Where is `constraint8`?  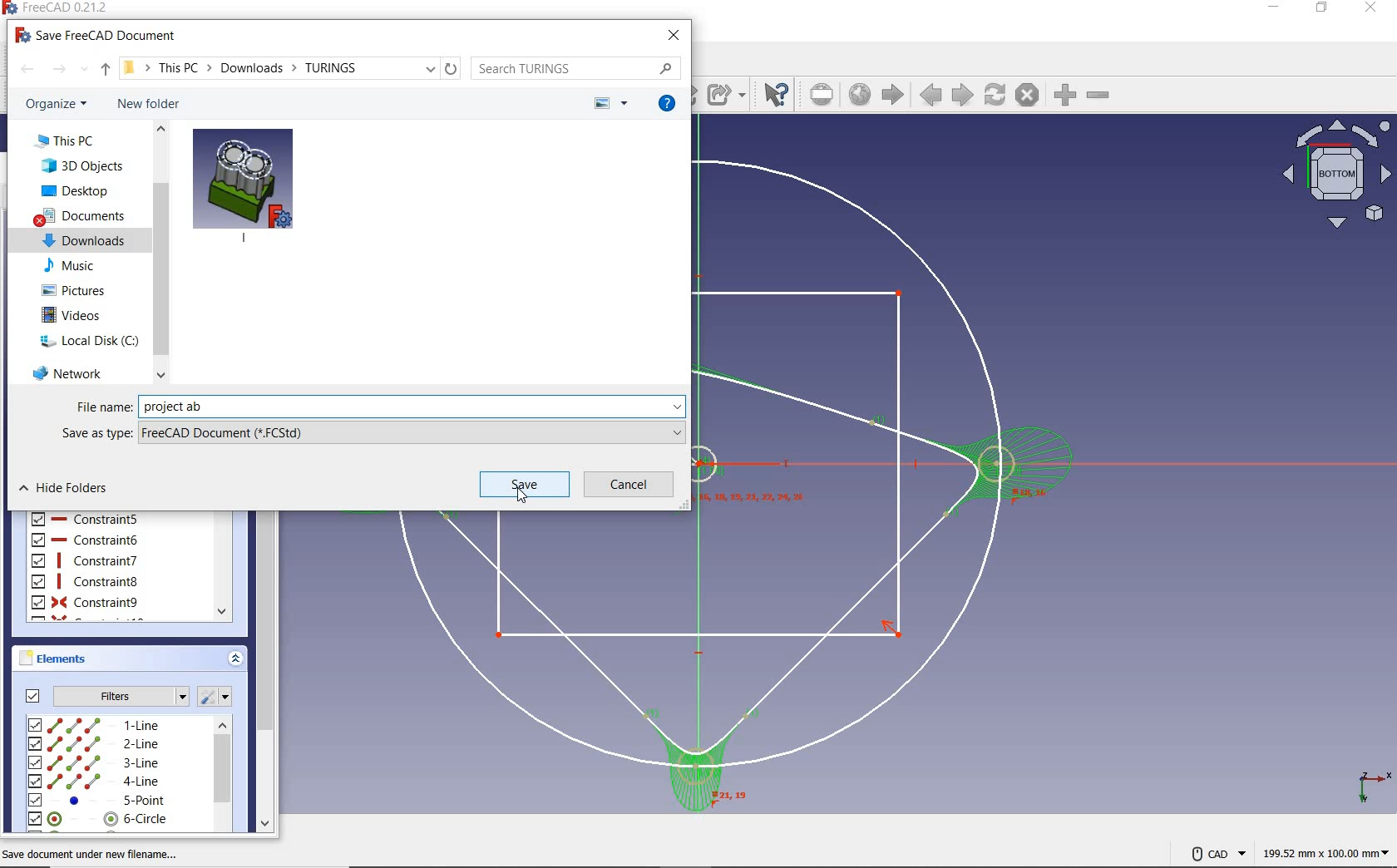 constraint8 is located at coordinates (86, 581).